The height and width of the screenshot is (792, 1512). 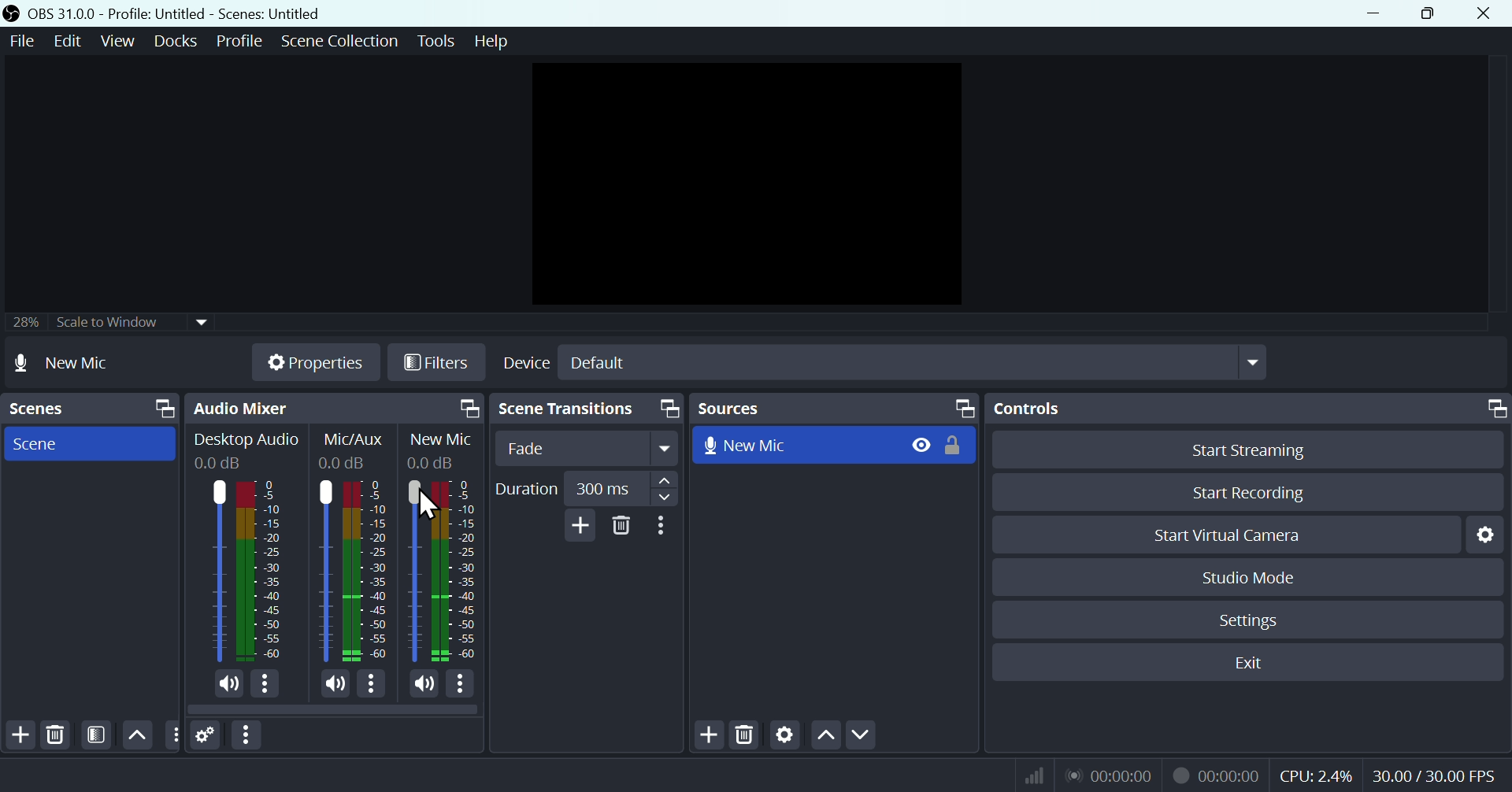 What do you see at coordinates (80, 362) in the screenshot?
I see `No source selected` at bounding box center [80, 362].